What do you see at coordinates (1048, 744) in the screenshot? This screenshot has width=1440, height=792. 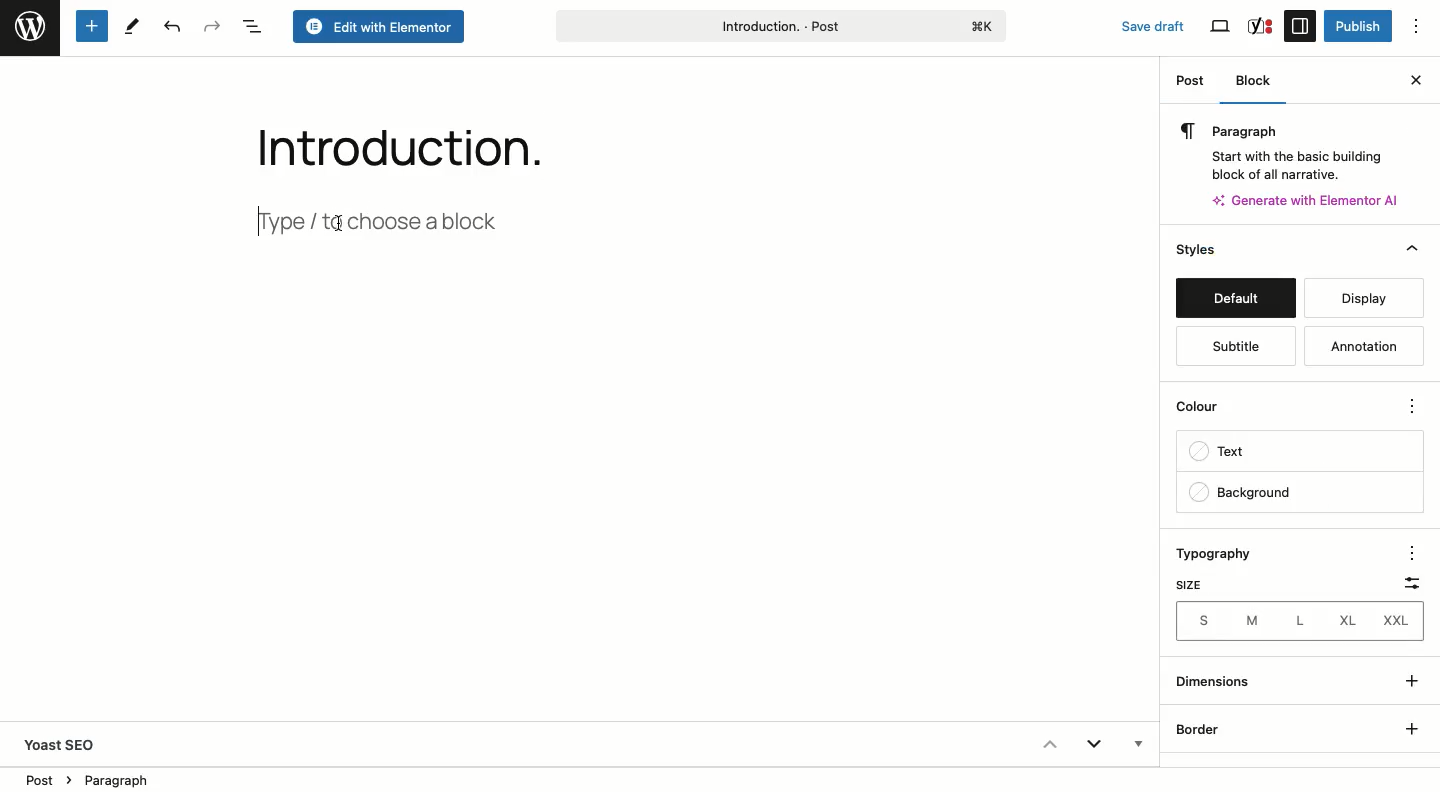 I see `Collapse` at bounding box center [1048, 744].